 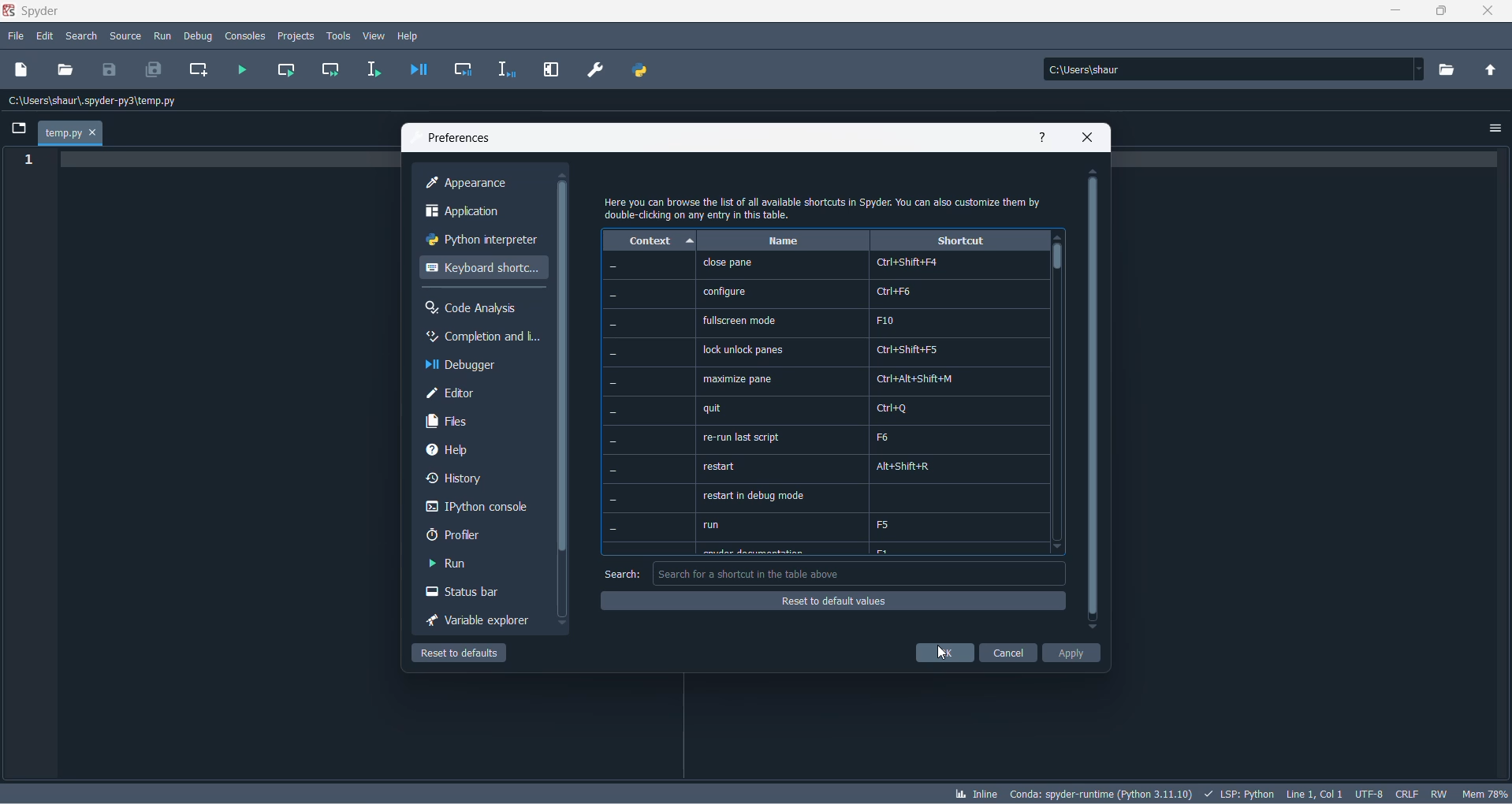 What do you see at coordinates (1408, 794) in the screenshot?
I see `file EOL status` at bounding box center [1408, 794].